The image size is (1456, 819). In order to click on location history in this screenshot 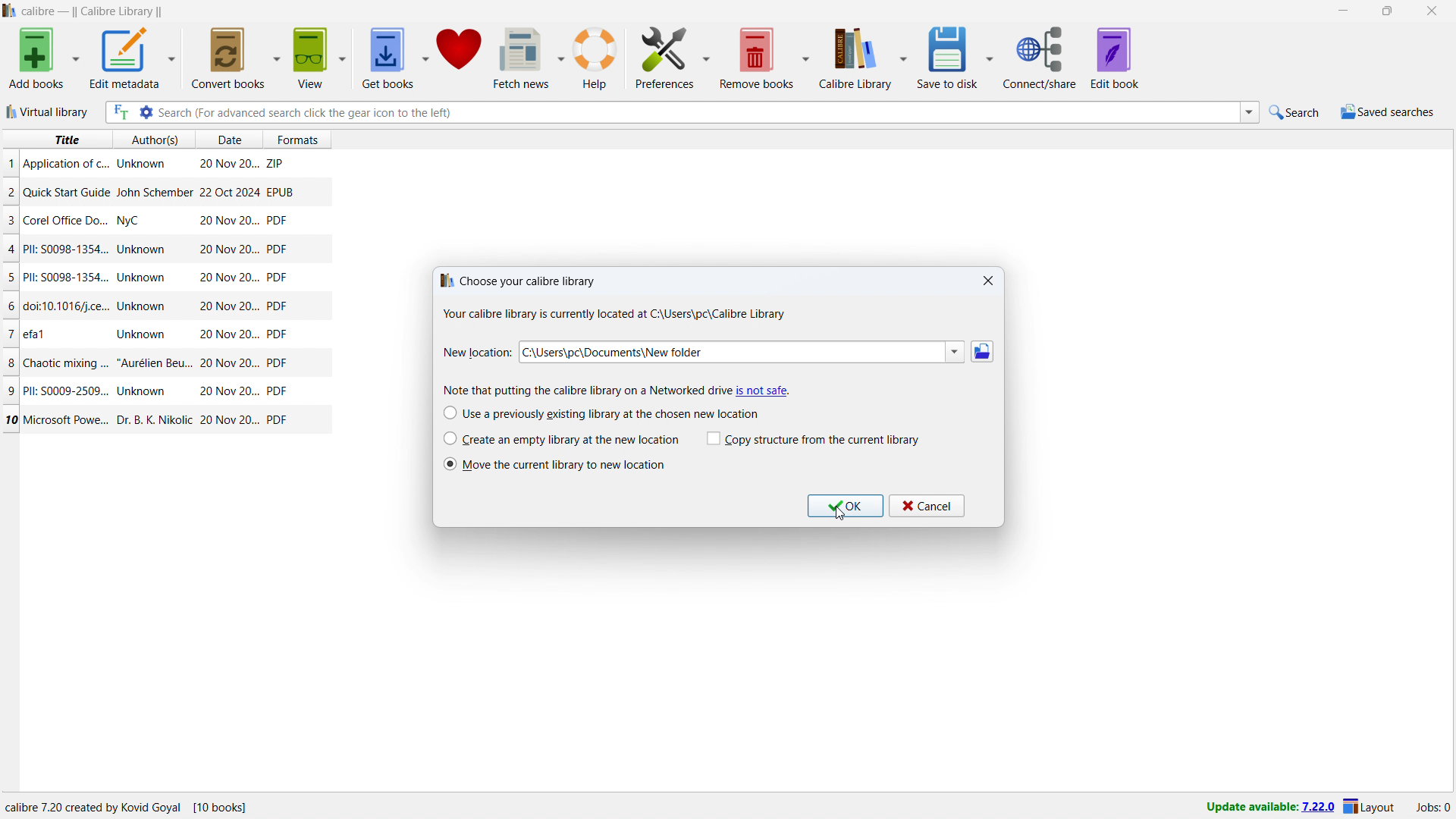, I will do `click(955, 352)`.